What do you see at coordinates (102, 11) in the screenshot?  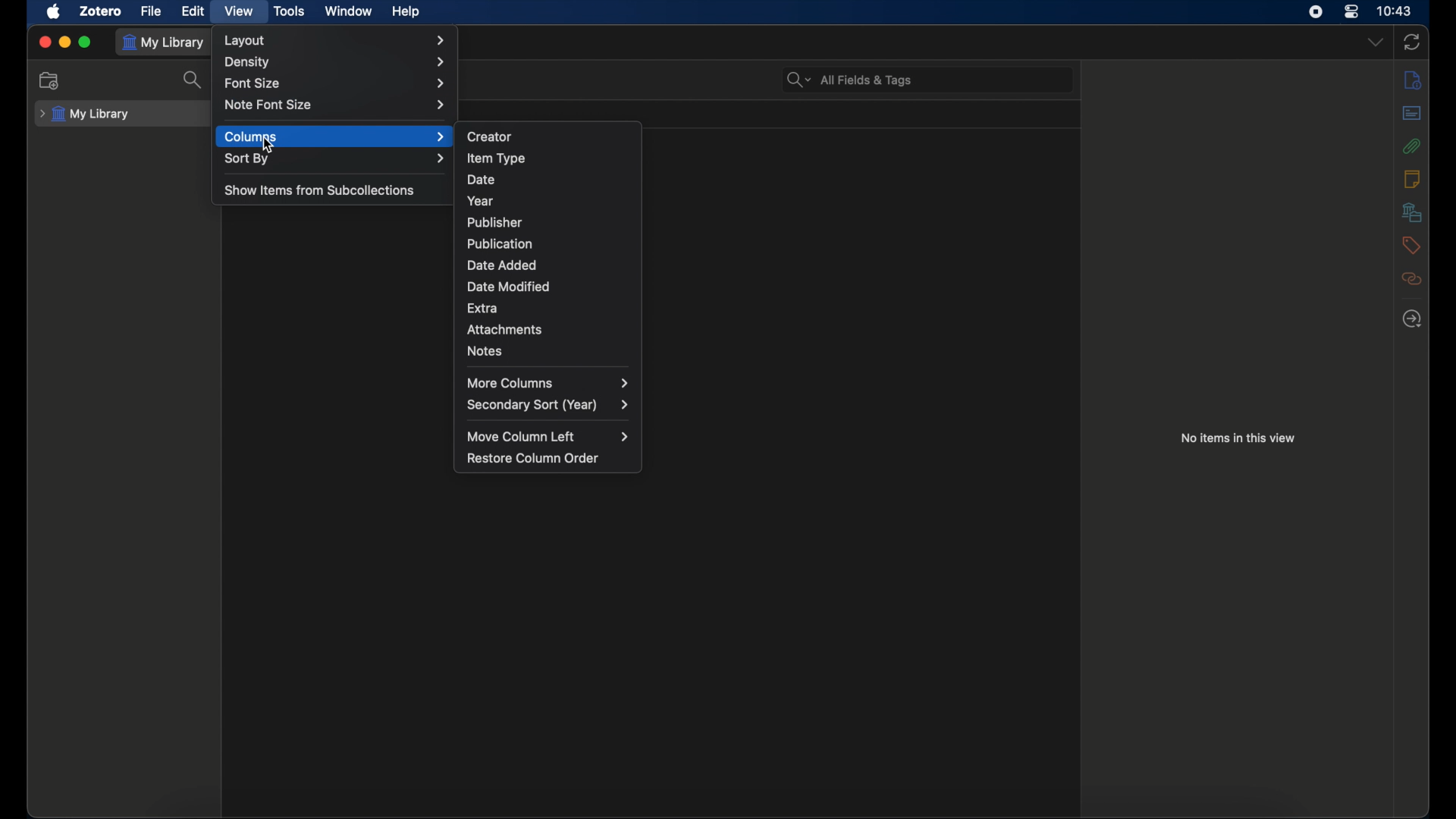 I see `zotero` at bounding box center [102, 11].